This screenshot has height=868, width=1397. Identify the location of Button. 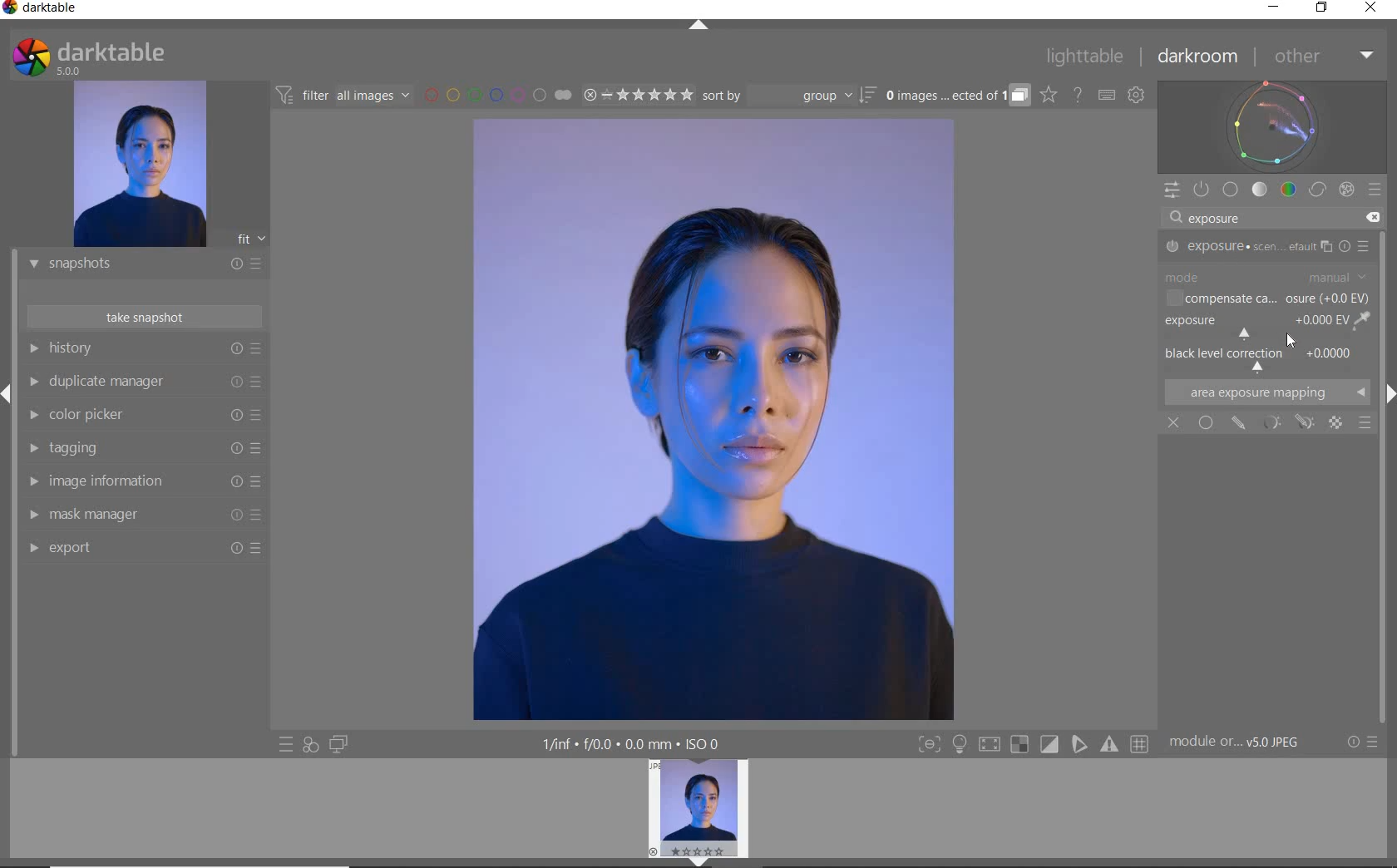
(1019, 745).